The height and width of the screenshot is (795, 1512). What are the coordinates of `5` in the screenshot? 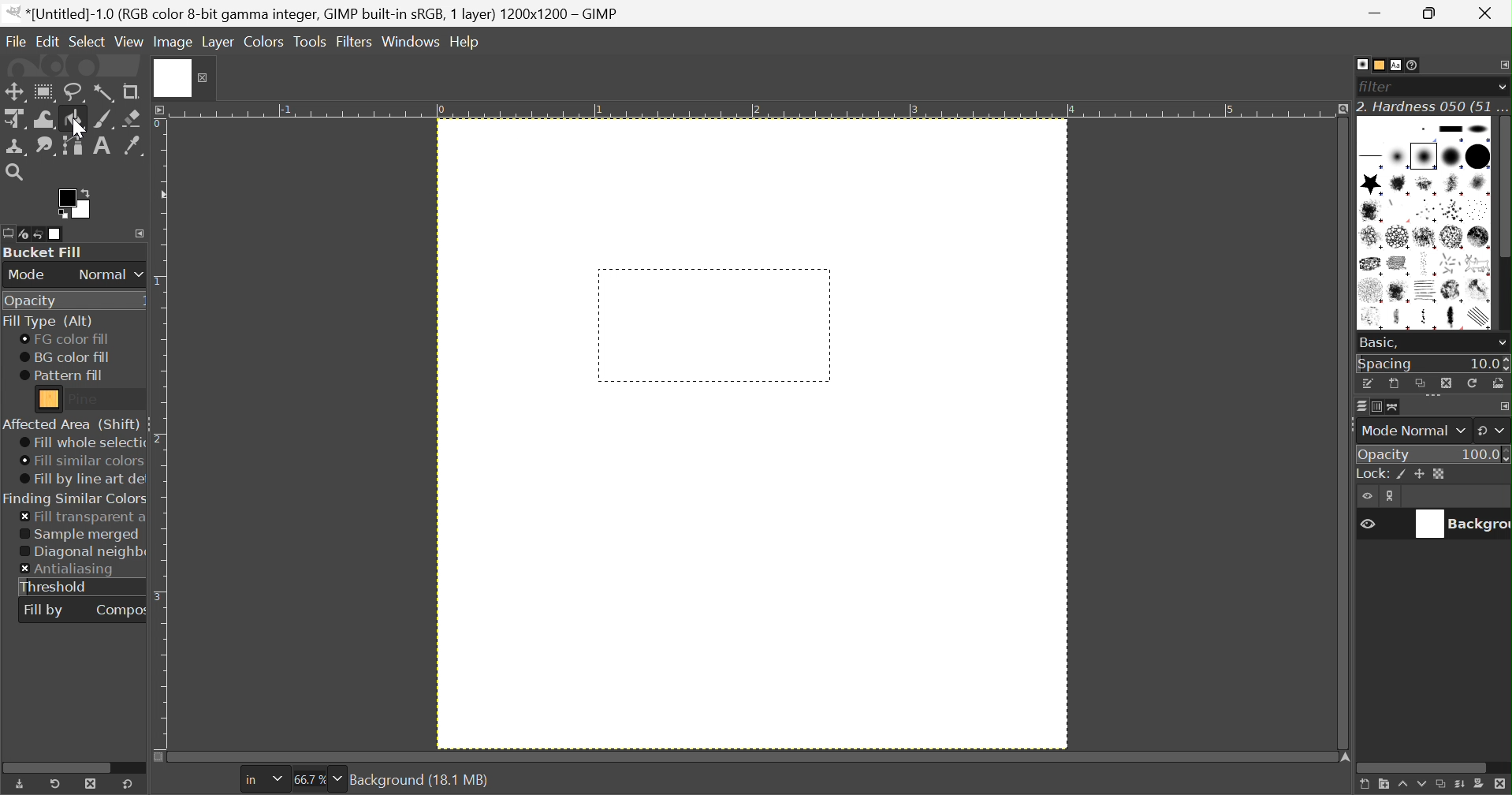 It's located at (1230, 110).